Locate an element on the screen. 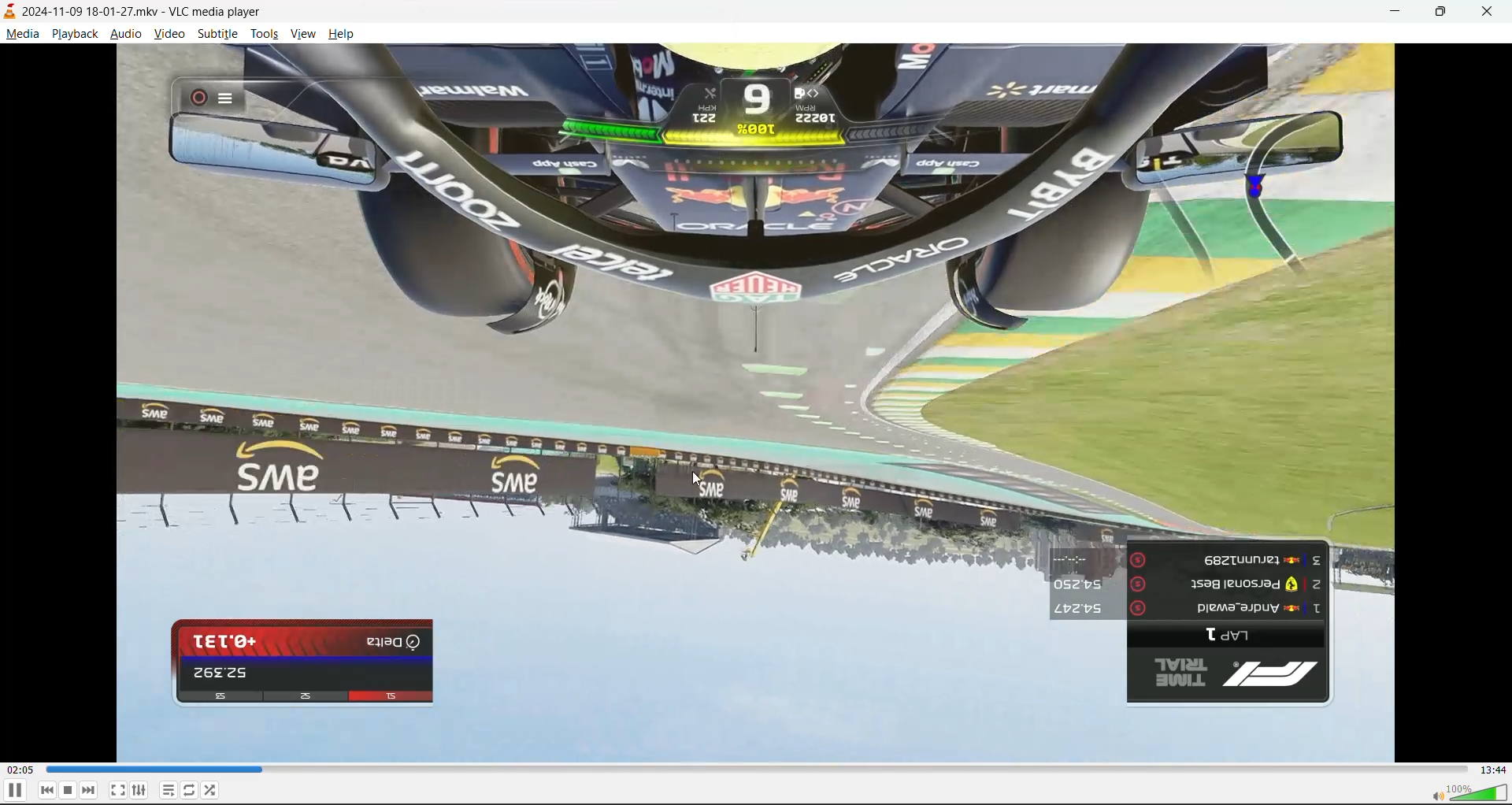  view is located at coordinates (302, 34).